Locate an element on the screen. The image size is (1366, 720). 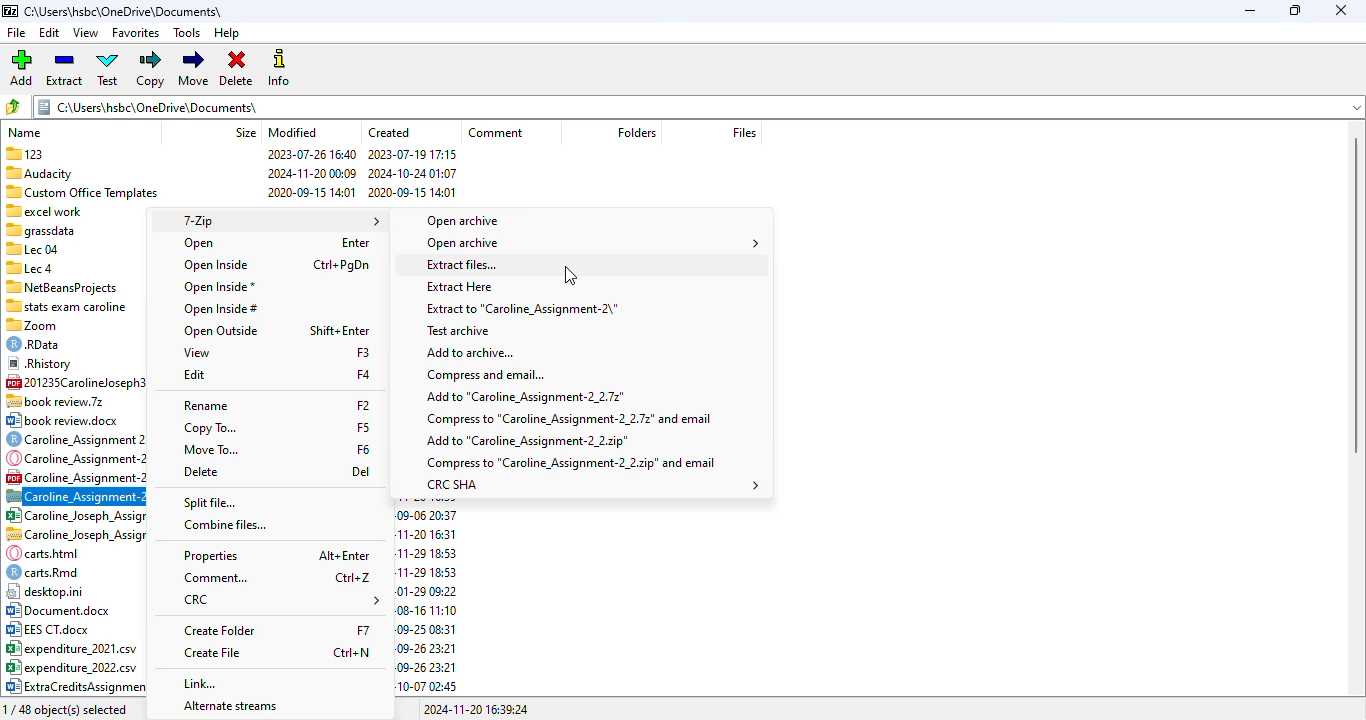
123 is located at coordinates (233, 153).